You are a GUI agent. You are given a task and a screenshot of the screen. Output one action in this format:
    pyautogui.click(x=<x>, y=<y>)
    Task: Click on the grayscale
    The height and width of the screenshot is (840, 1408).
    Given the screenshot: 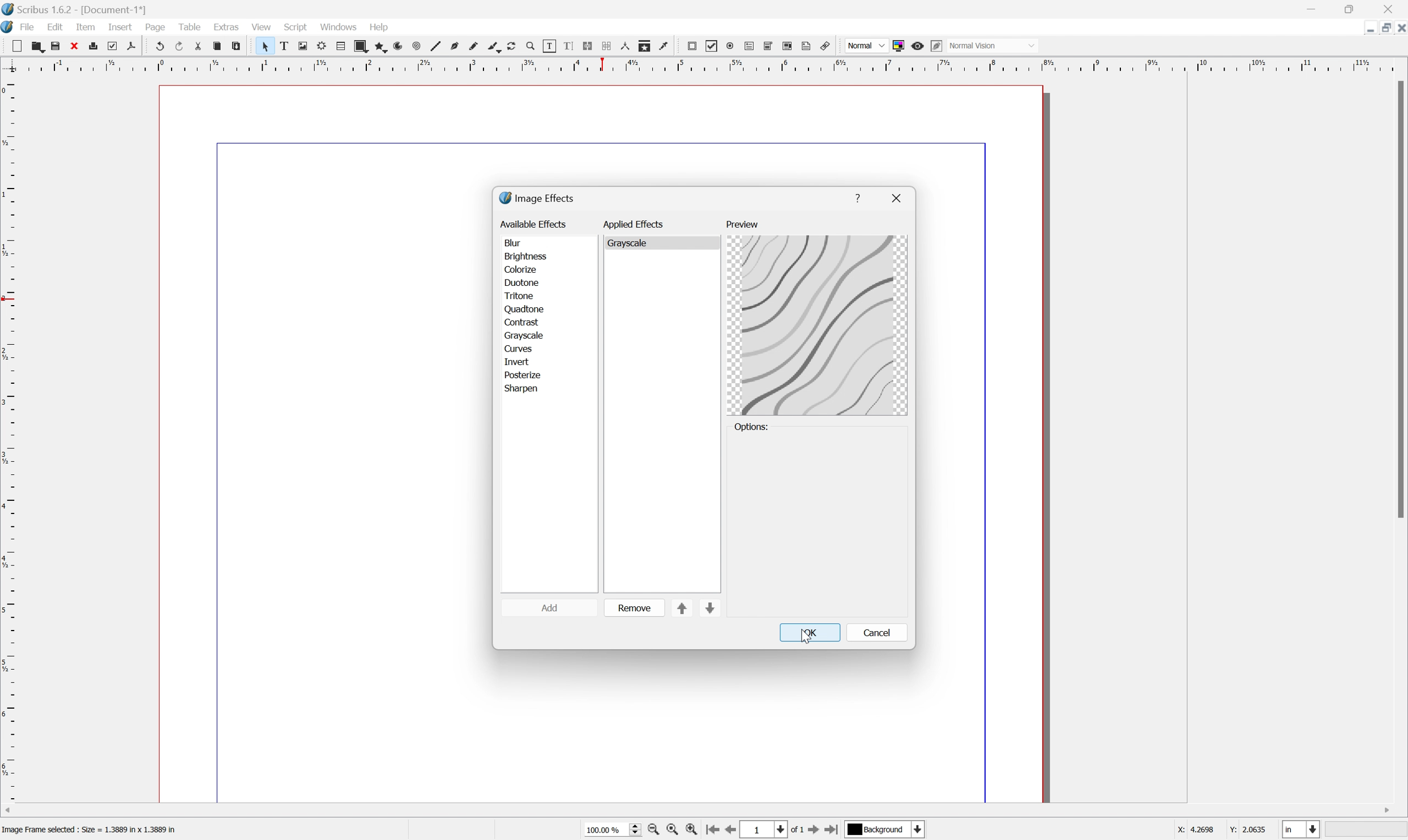 What is the action you would take?
    pyautogui.click(x=523, y=335)
    